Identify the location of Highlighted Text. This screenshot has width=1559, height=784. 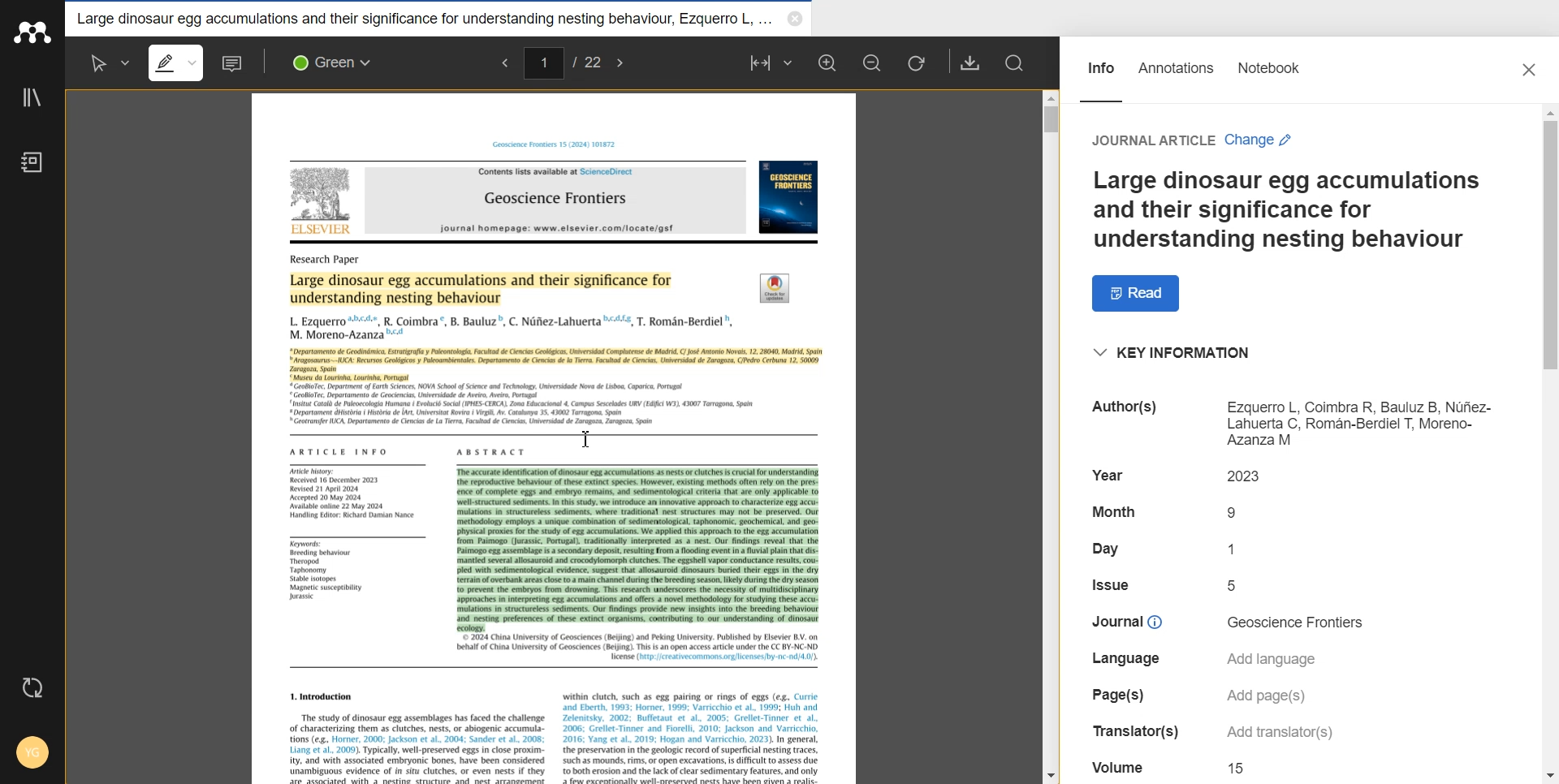
(556, 365).